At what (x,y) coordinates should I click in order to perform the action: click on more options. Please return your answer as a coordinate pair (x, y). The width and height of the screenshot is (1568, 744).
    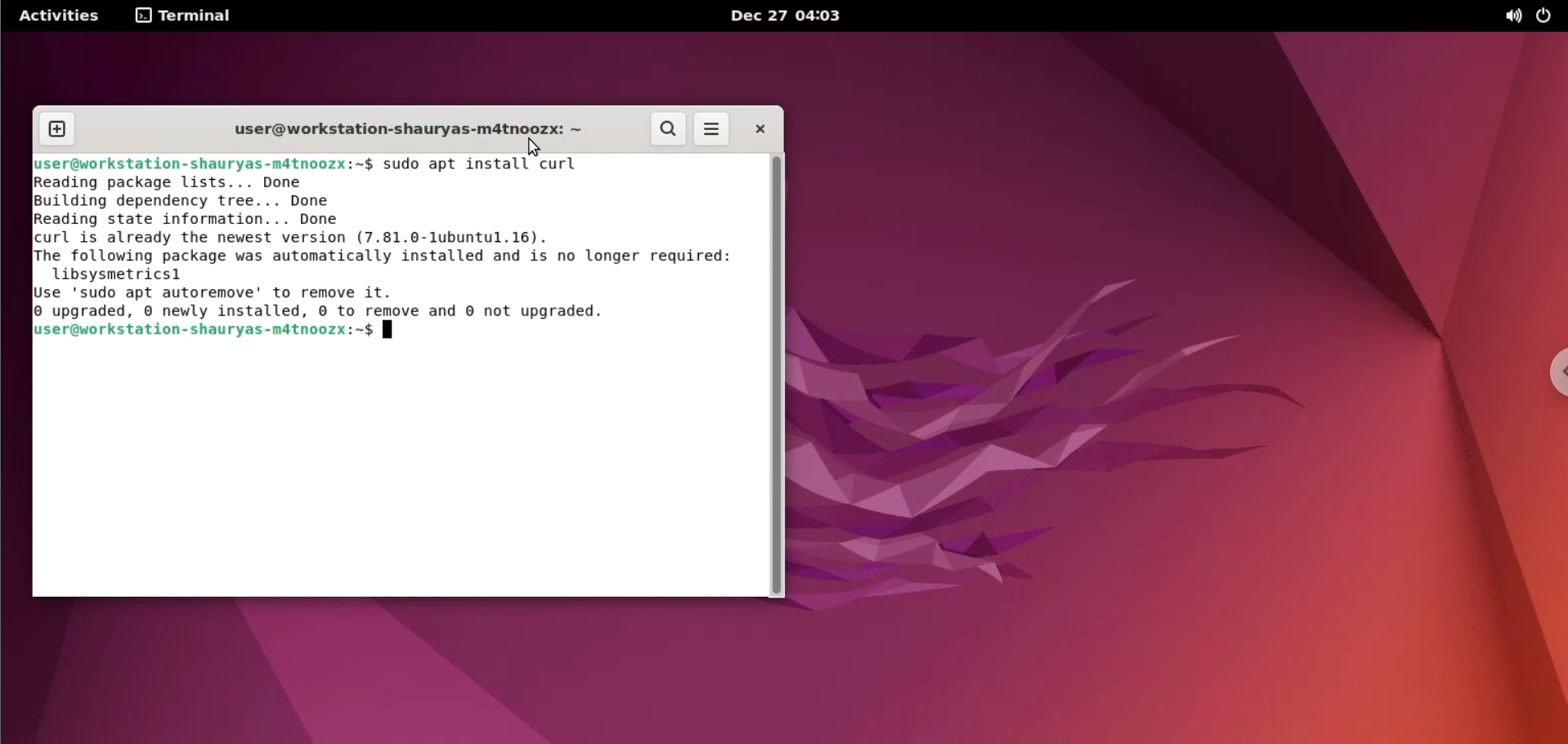
    Looking at the image, I should click on (711, 130).